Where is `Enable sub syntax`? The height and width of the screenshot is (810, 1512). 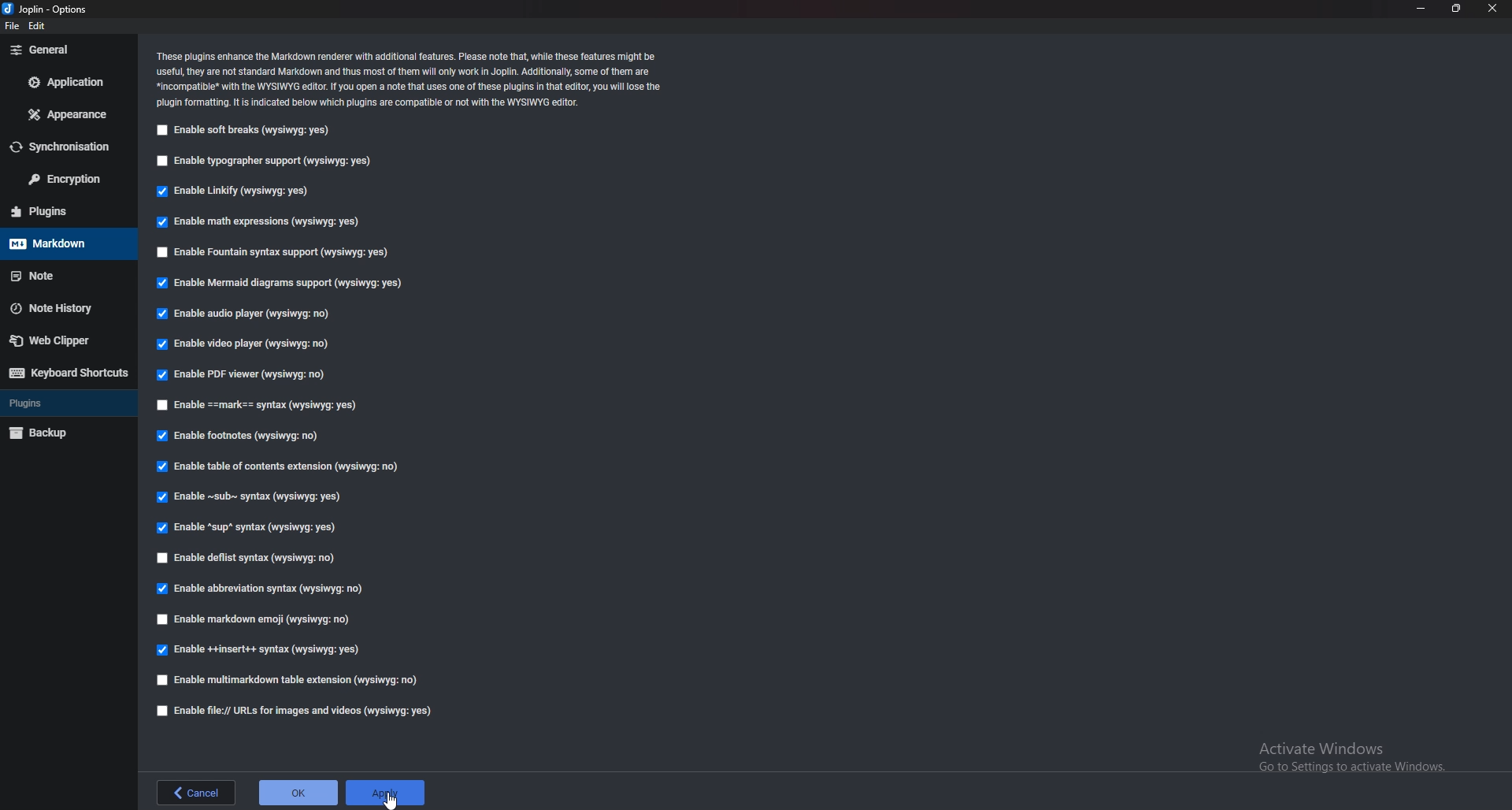
Enable sub syntax is located at coordinates (250, 496).